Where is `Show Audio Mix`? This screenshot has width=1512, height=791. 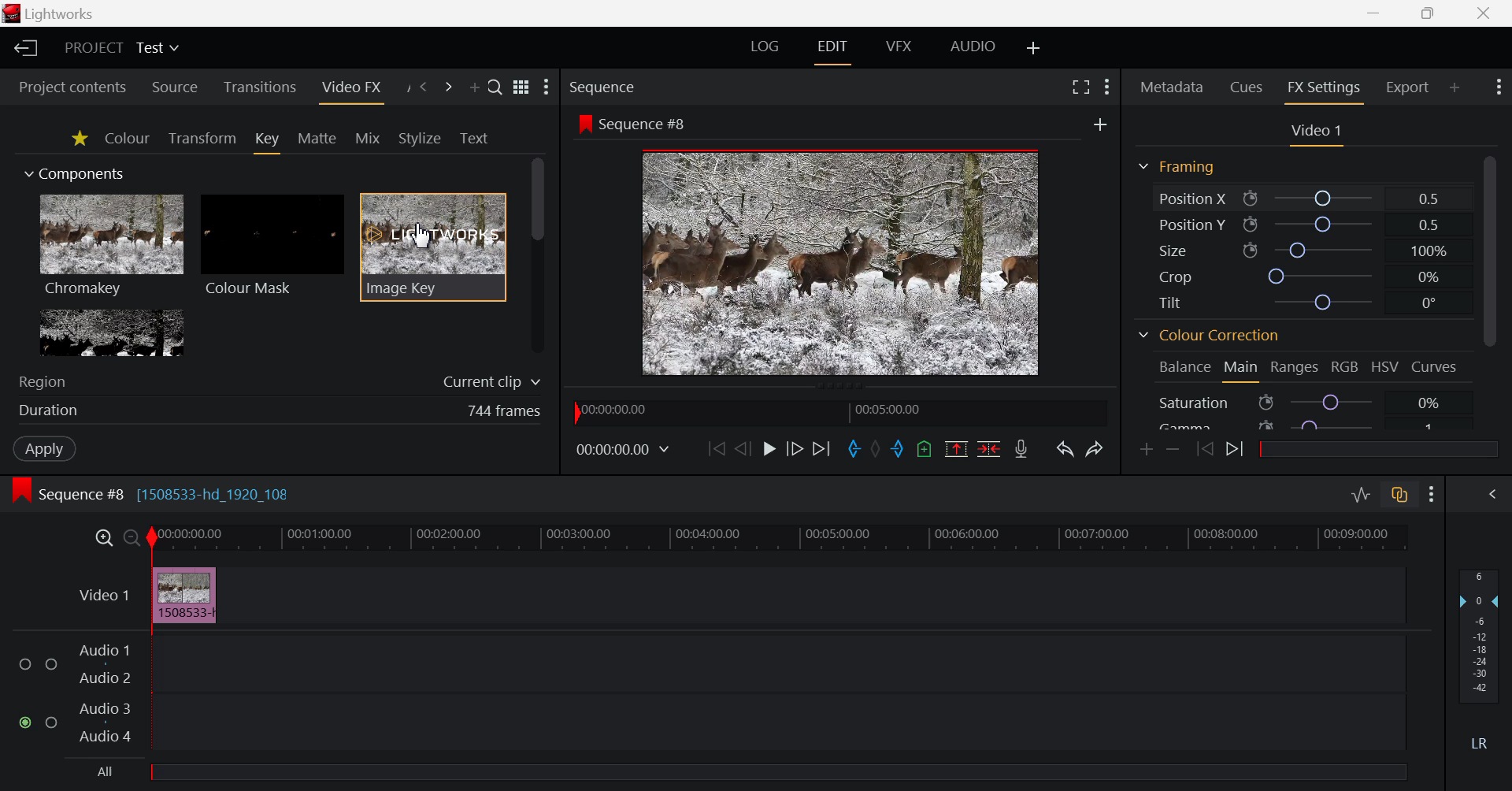
Show Audio Mix is located at coordinates (1490, 494).